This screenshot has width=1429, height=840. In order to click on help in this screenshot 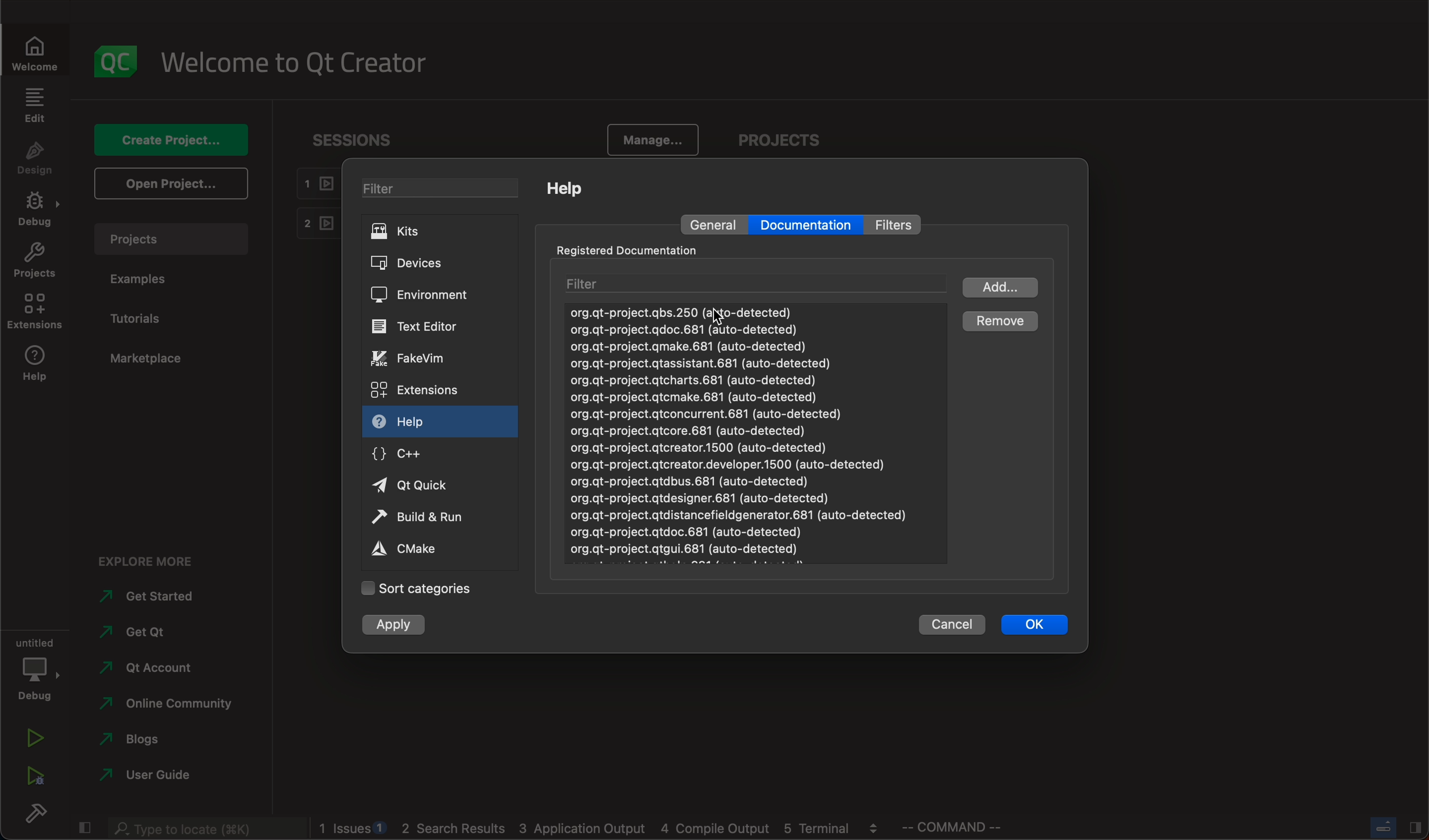, I will do `click(566, 190)`.